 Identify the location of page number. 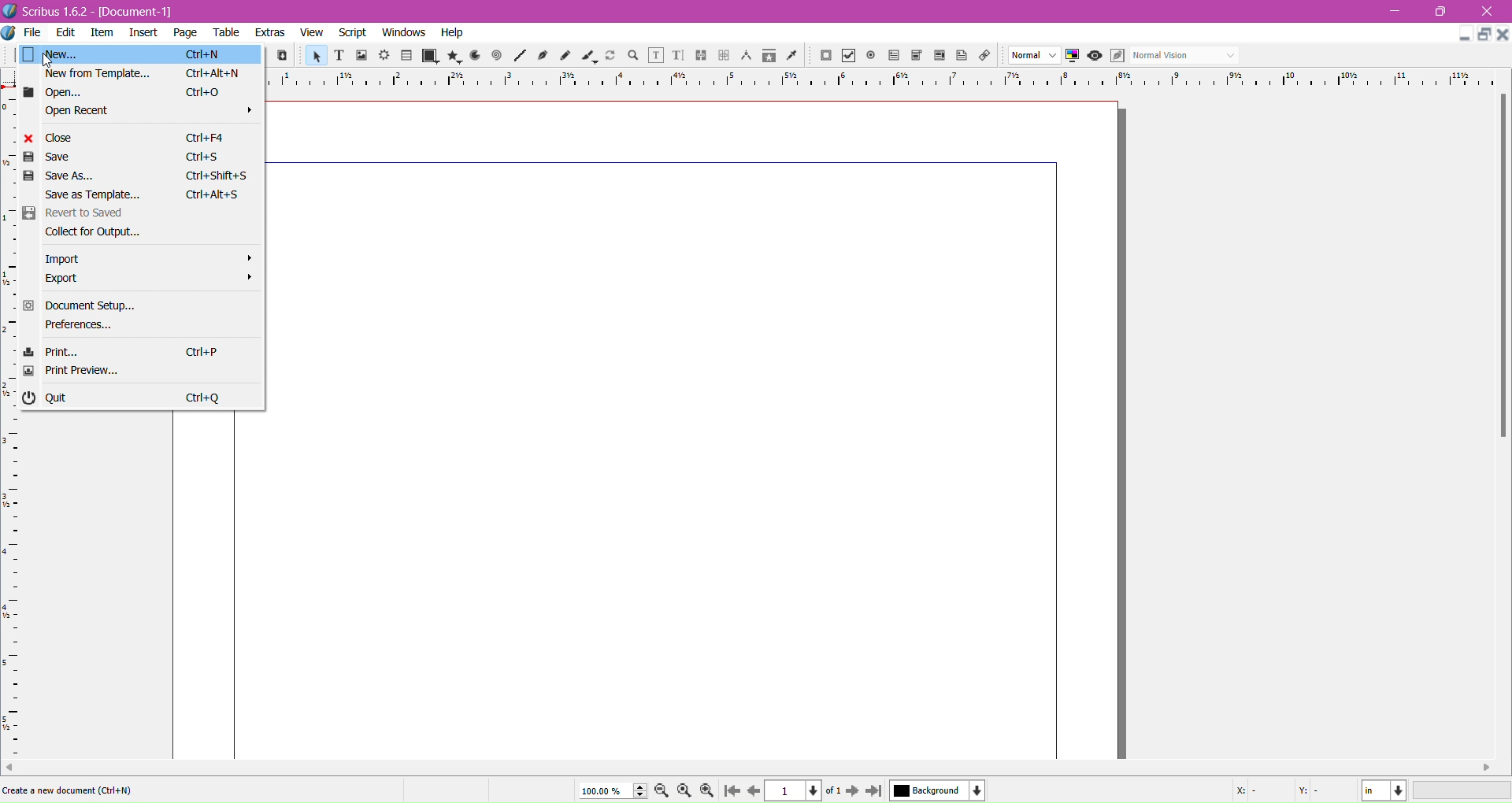
(801, 792).